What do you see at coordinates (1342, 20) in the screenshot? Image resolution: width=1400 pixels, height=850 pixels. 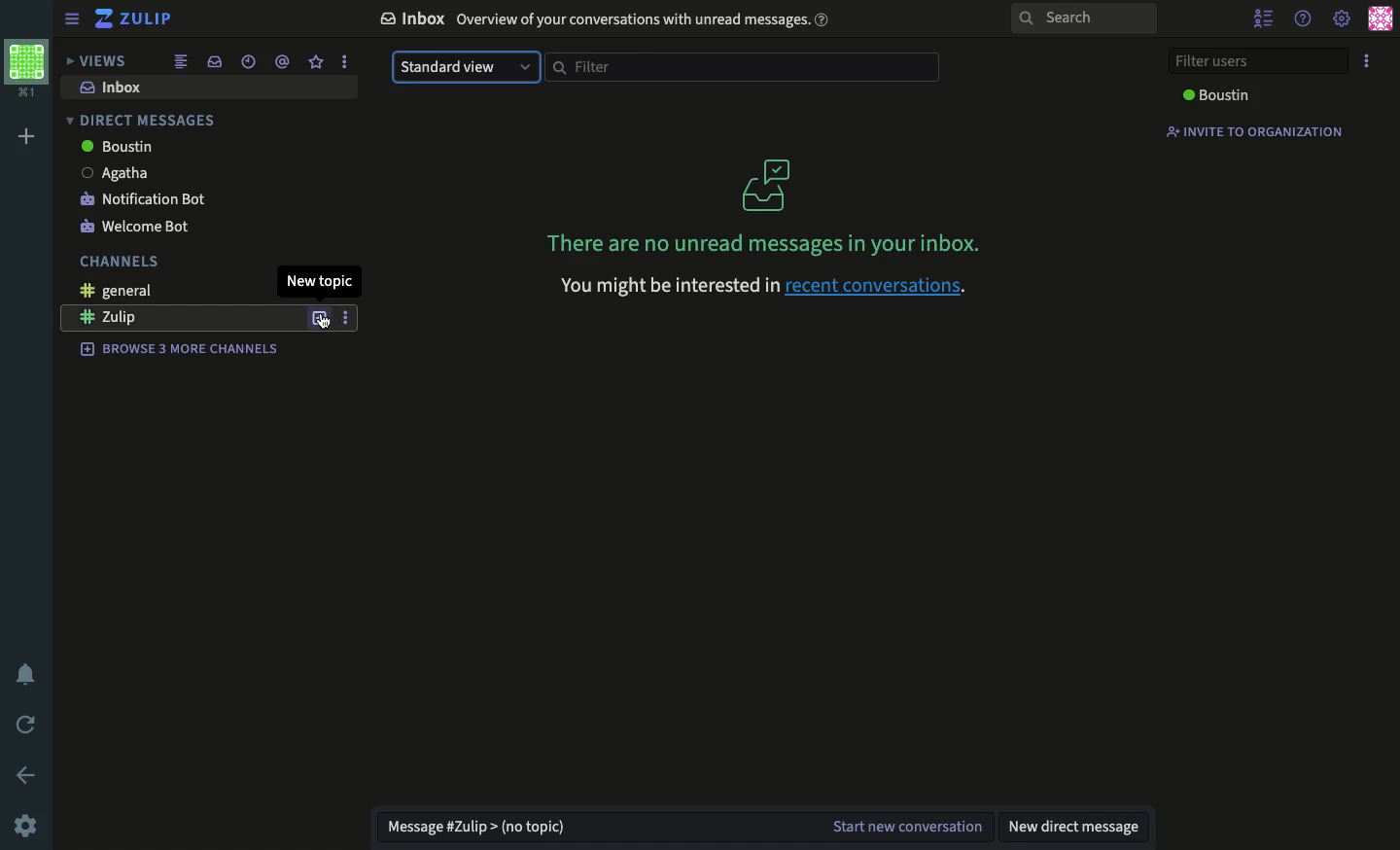 I see `settings ` at bounding box center [1342, 20].